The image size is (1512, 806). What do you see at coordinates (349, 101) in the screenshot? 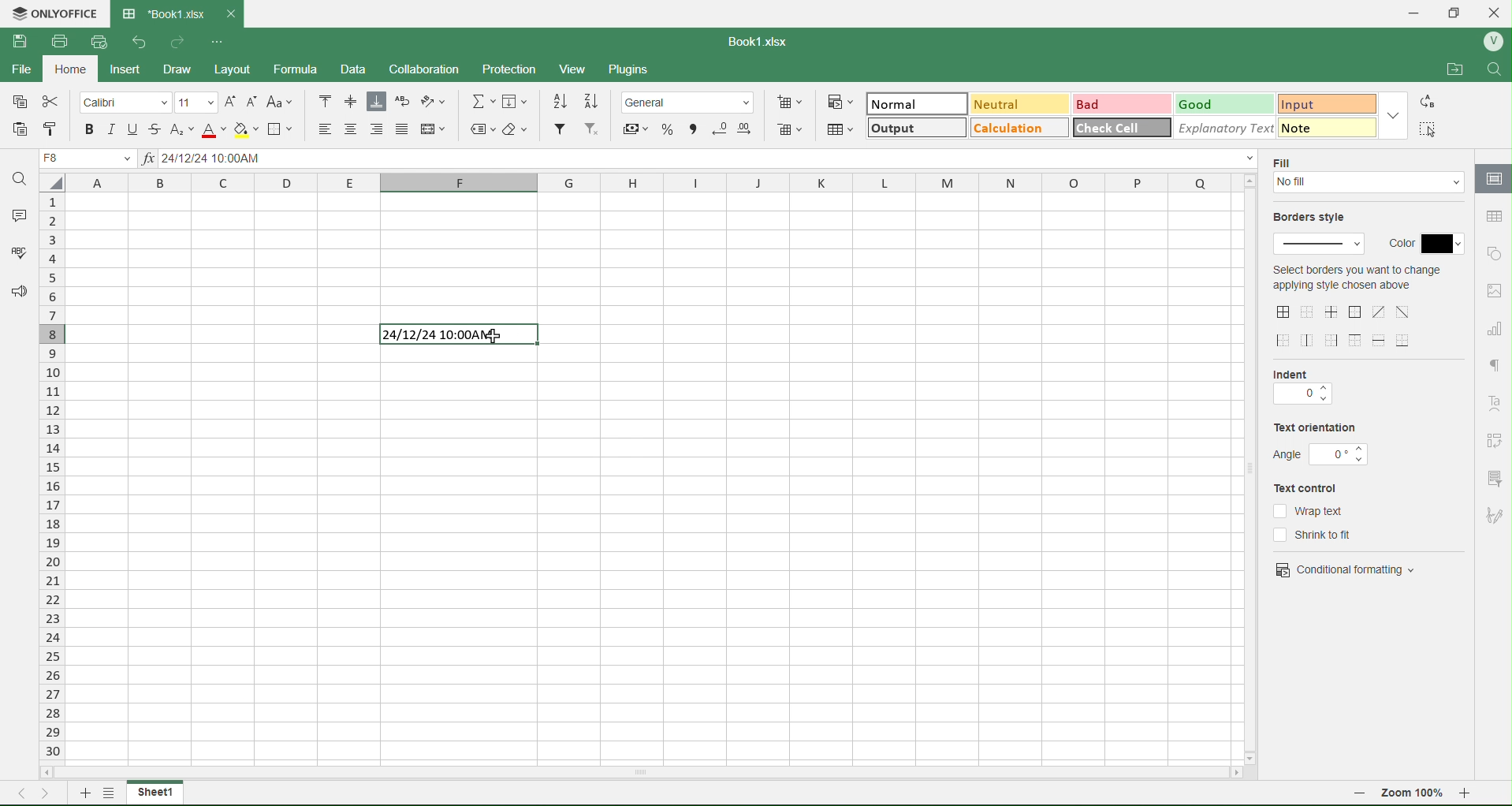
I see `Middle Size` at bounding box center [349, 101].